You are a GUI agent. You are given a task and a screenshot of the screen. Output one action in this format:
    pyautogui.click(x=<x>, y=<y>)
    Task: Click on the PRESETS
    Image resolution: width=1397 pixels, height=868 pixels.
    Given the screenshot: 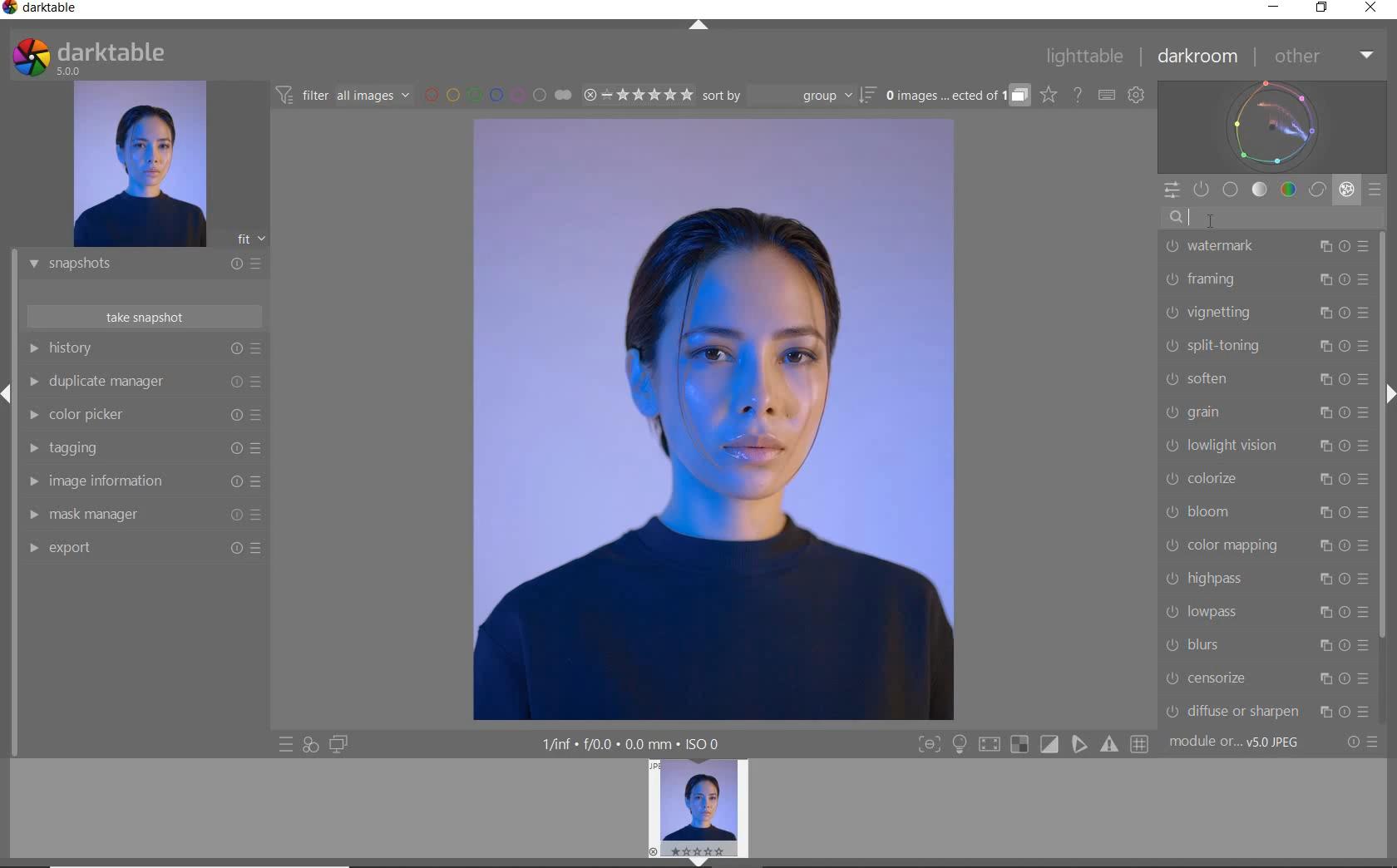 What is the action you would take?
    pyautogui.click(x=1375, y=189)
    